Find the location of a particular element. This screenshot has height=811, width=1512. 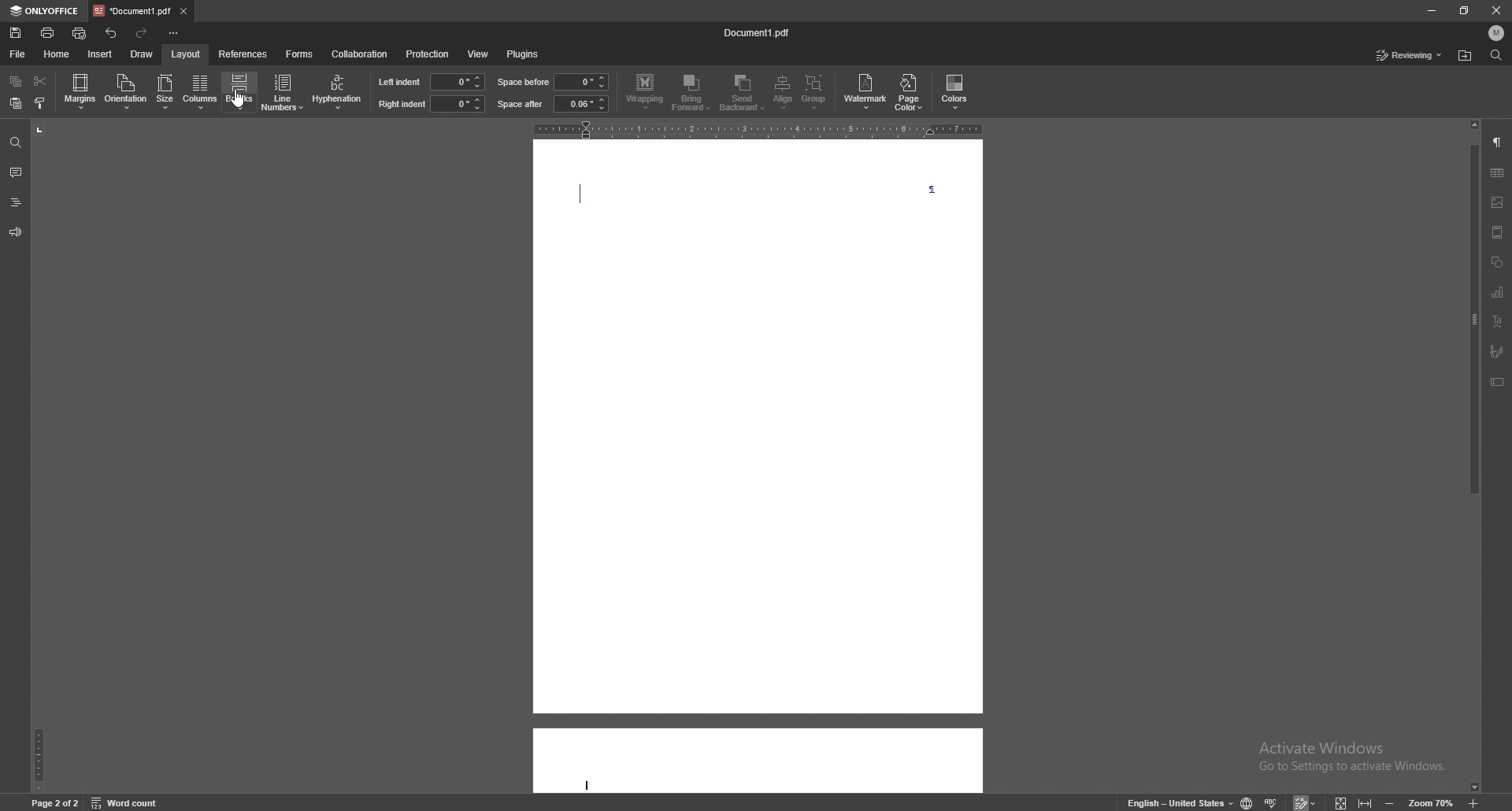

size is located at coordinates (166, 91).